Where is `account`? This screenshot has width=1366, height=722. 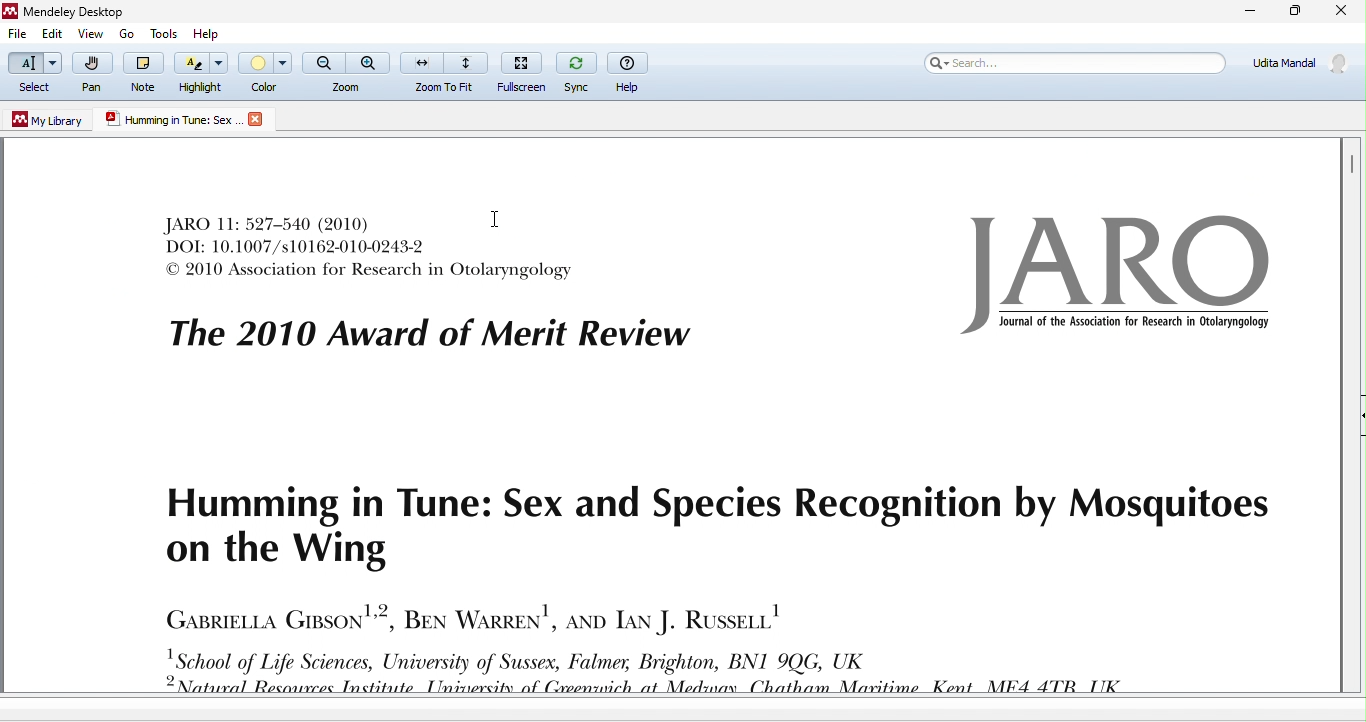 account is located at coordinates (1297, 66).